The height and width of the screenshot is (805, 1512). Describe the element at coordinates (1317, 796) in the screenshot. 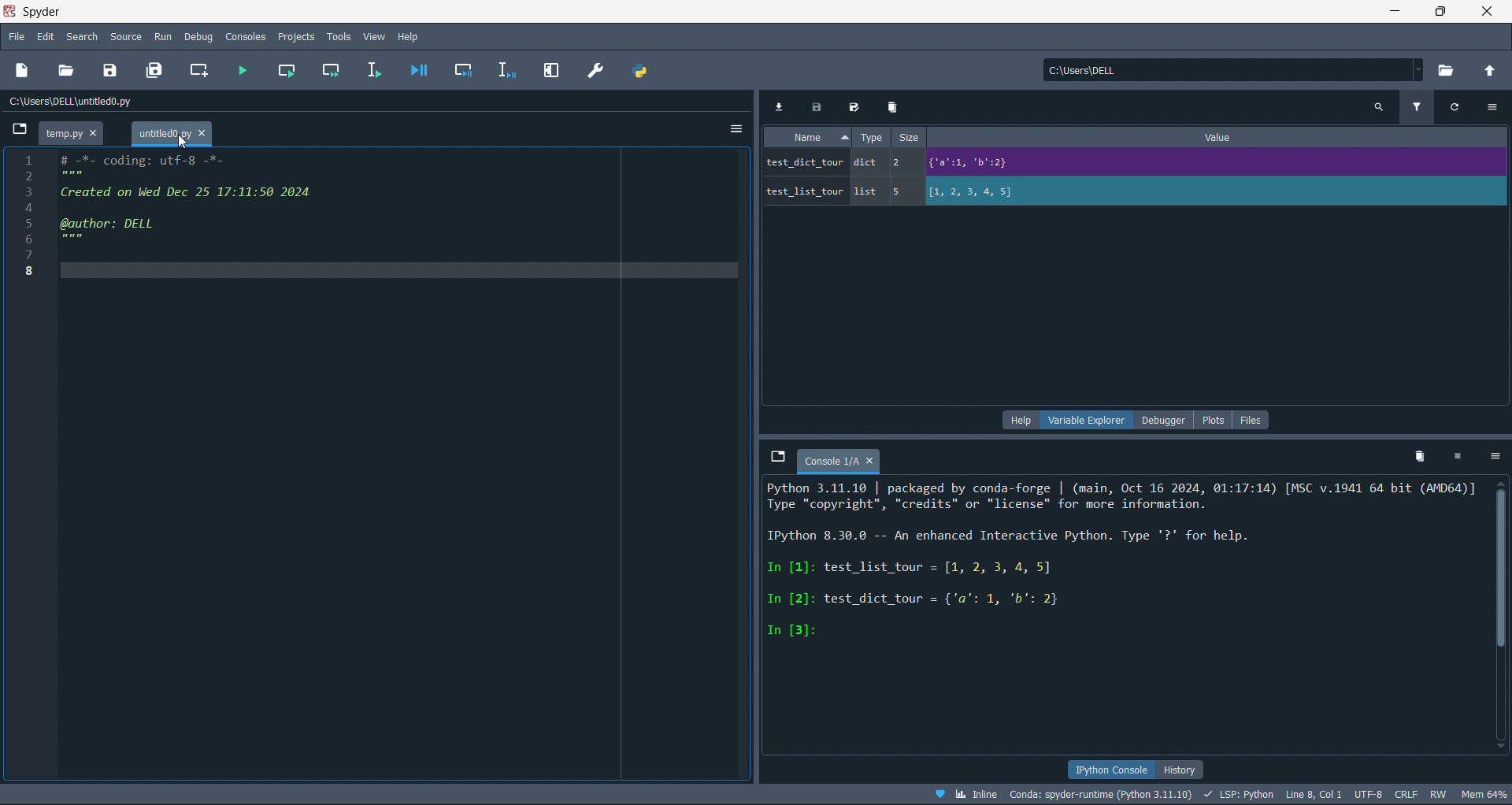

I see `Line 8, col 1` at that location.